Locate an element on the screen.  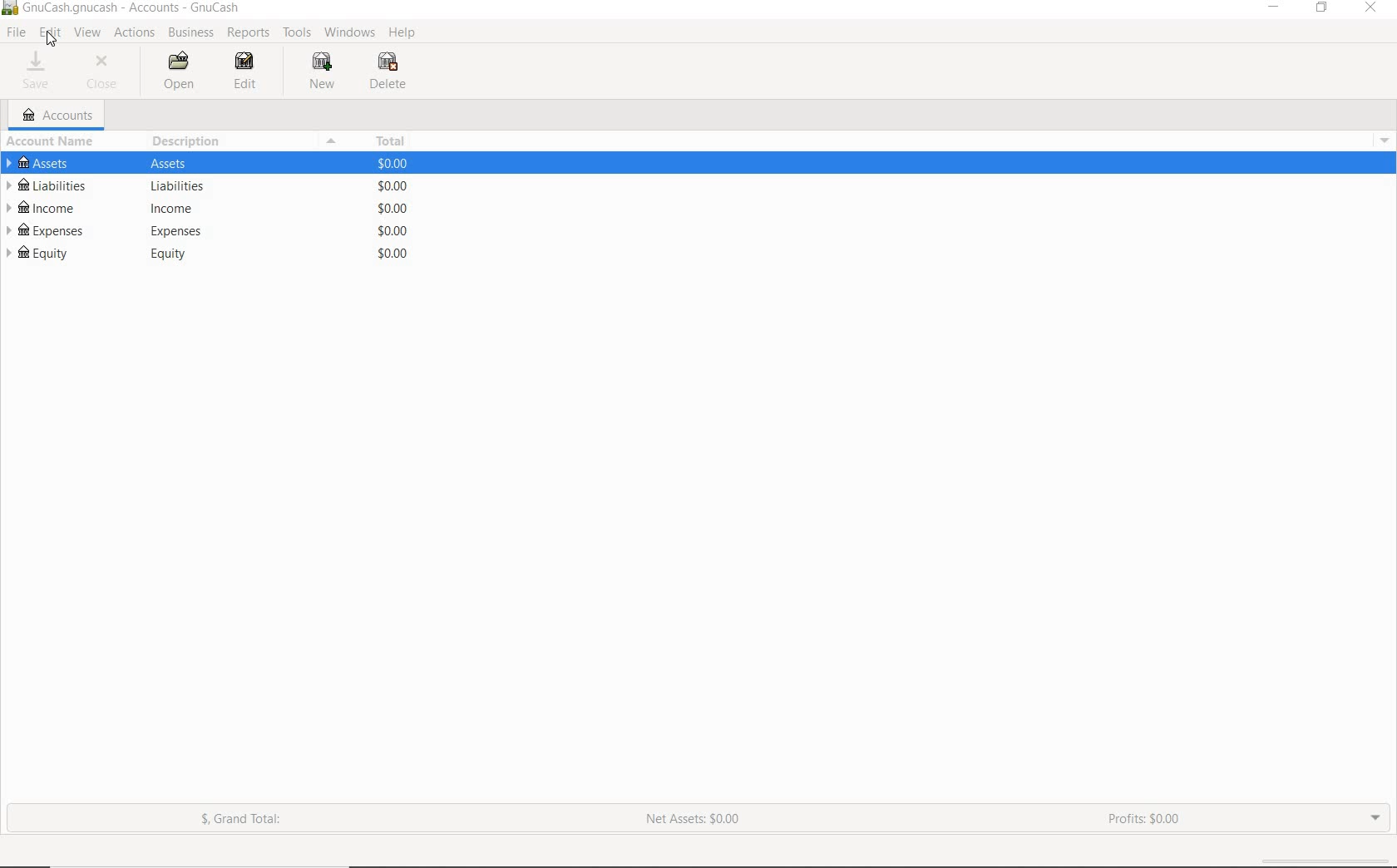
TOOLS is located at coordinates (298, 35).